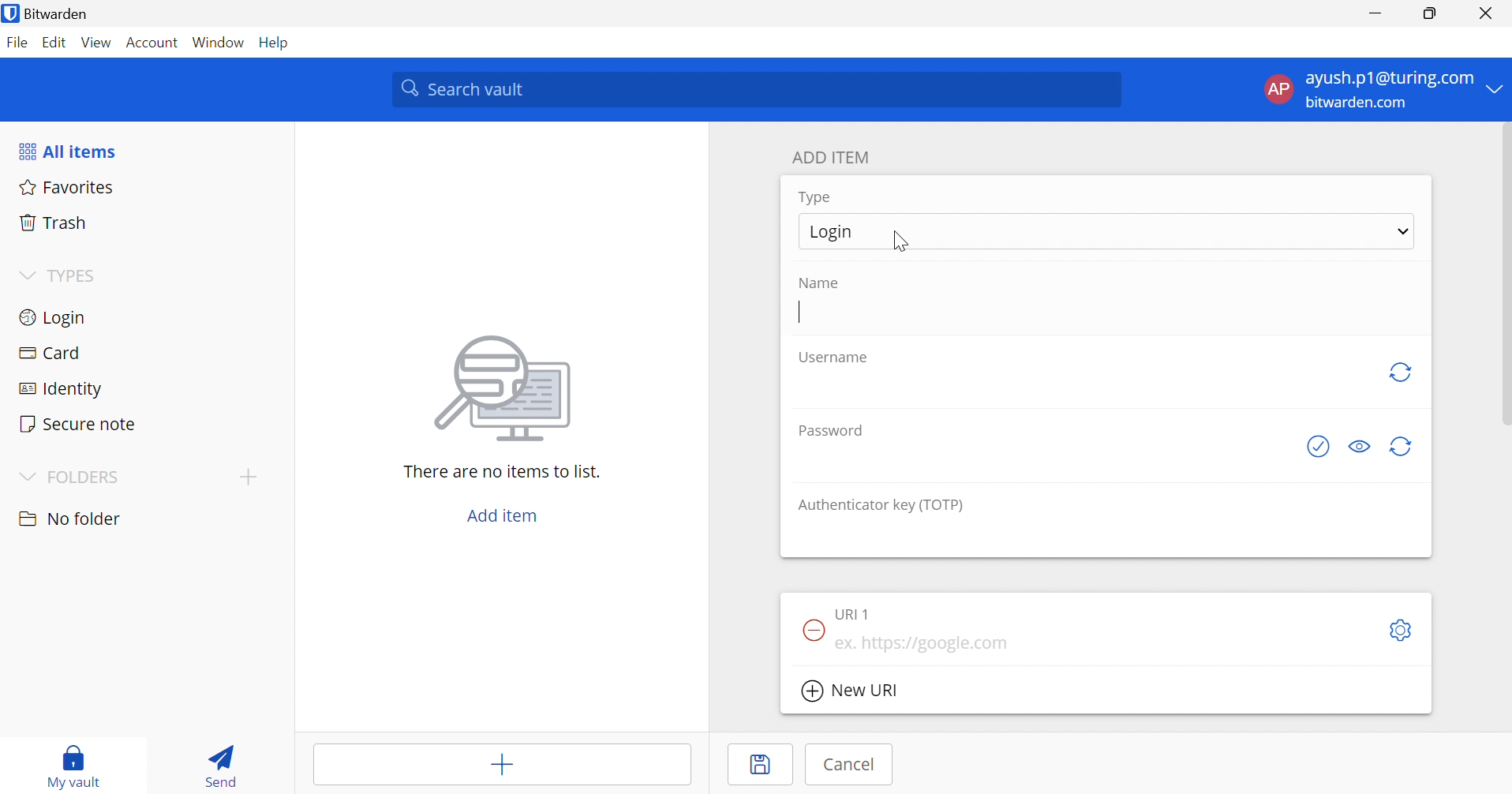 This screenshot has height=794, width=1512. What do you see at coordinates (758, 90) in the screenshot?
I see `Search vault` at bounding box center [758, 90].